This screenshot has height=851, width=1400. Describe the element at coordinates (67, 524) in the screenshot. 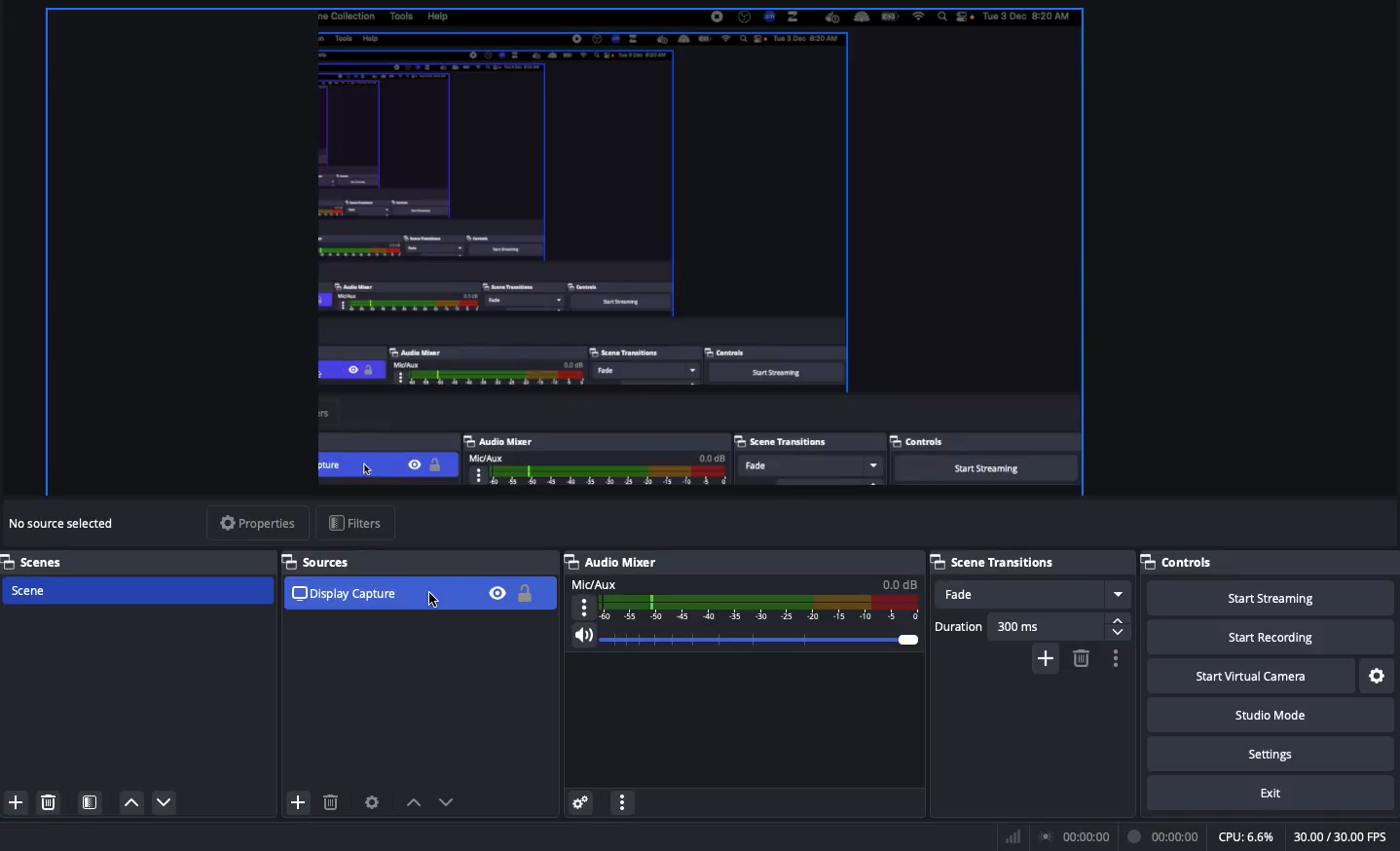

I see `No sources selected` at that location.